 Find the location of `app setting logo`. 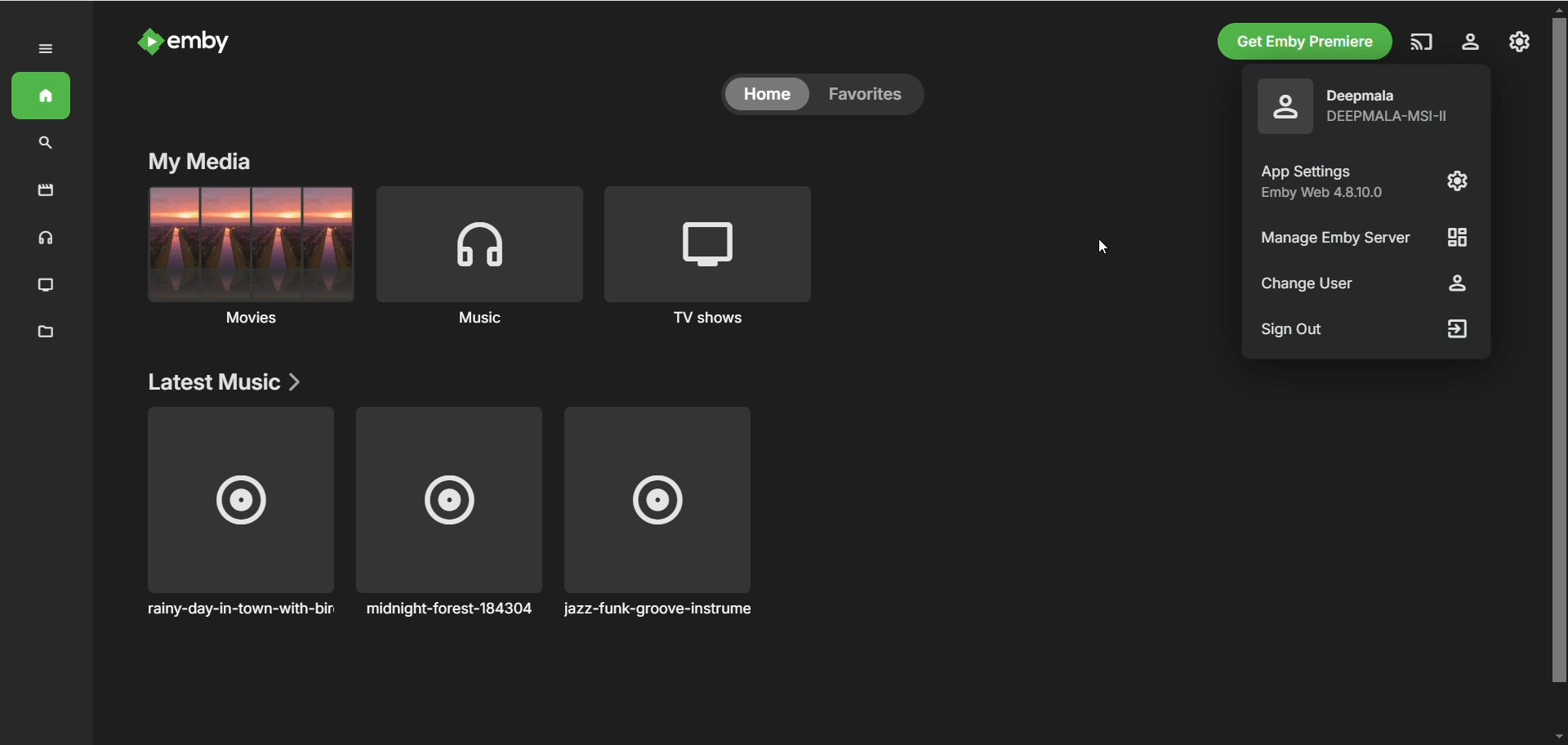

app setting logo is located at coordinates (1456, 185).